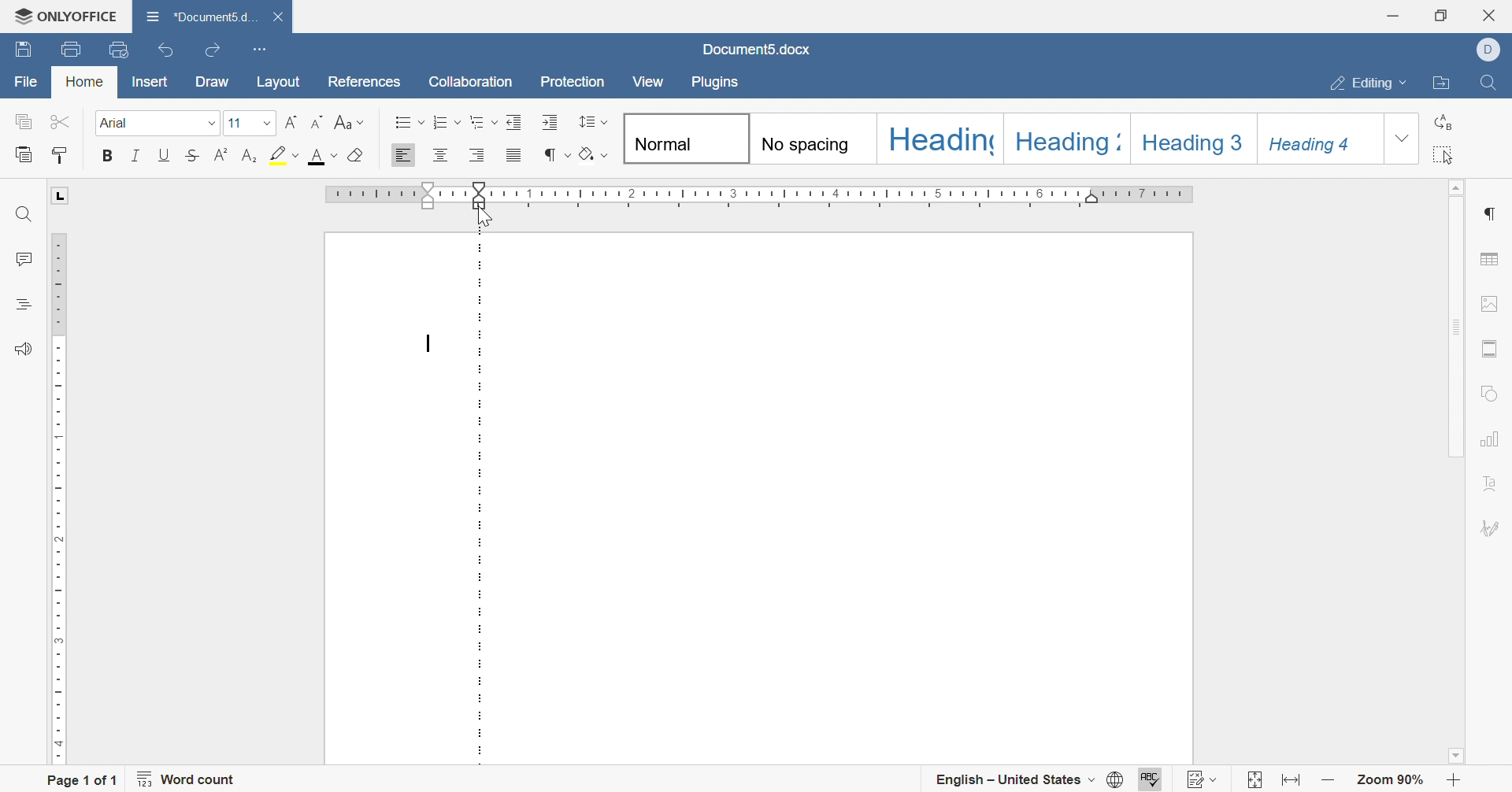 This screenshot has height=792, width=1512. What do you see at coordinates (442, 154) in the screenshot?
I see `Align center` at bounding box center [442, 154].